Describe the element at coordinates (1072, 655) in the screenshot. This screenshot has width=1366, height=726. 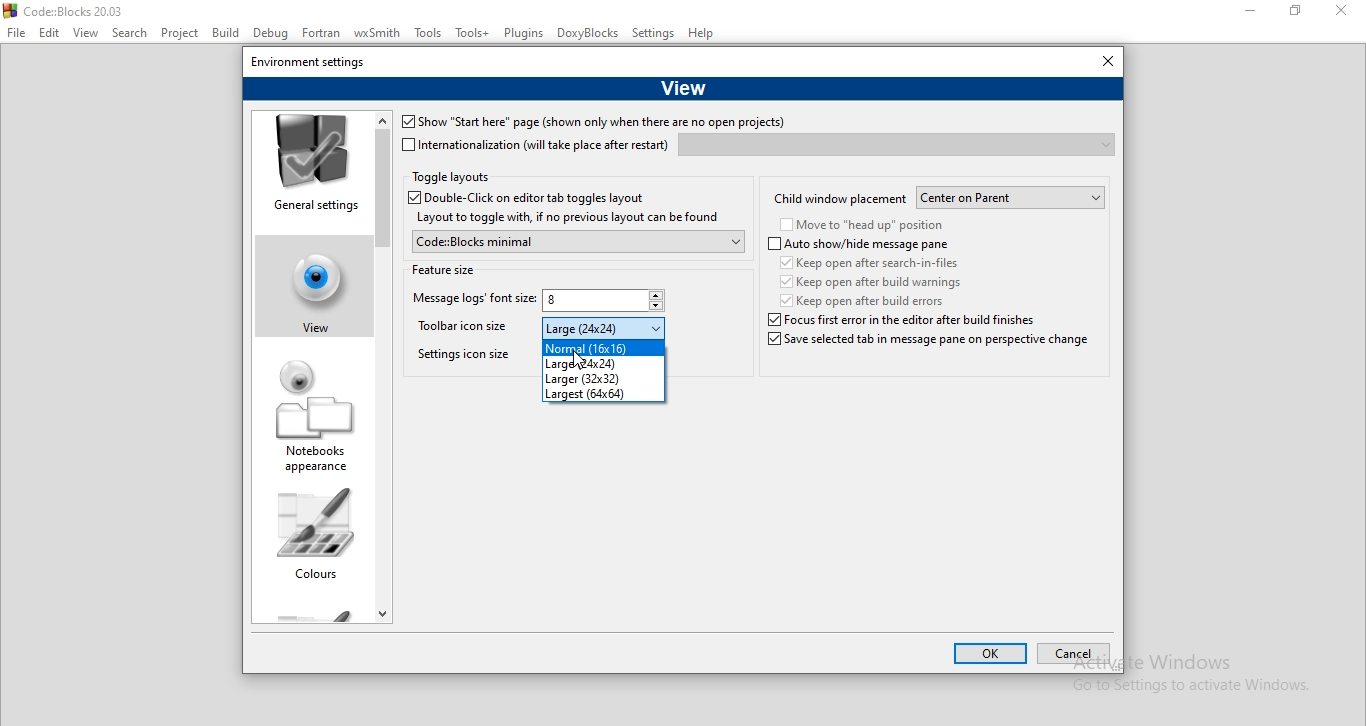
I see `cancel` at that location.